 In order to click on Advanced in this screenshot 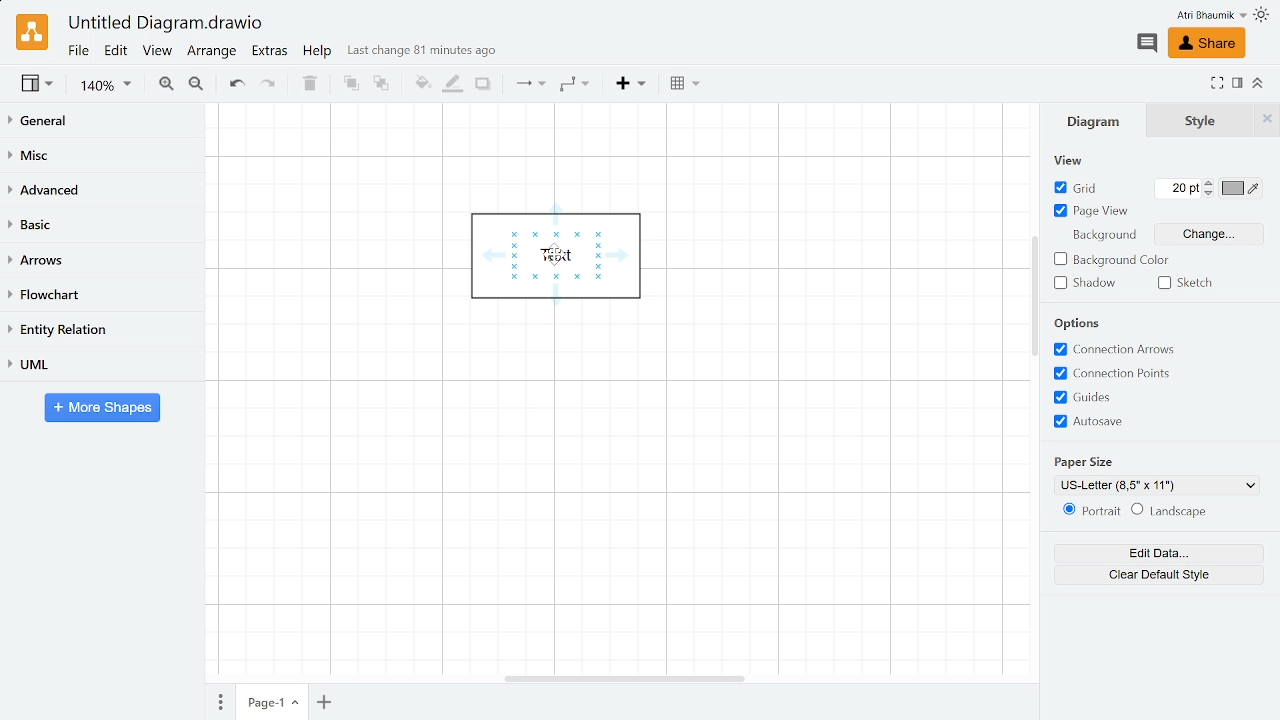, I will do `click(102, 191)`.